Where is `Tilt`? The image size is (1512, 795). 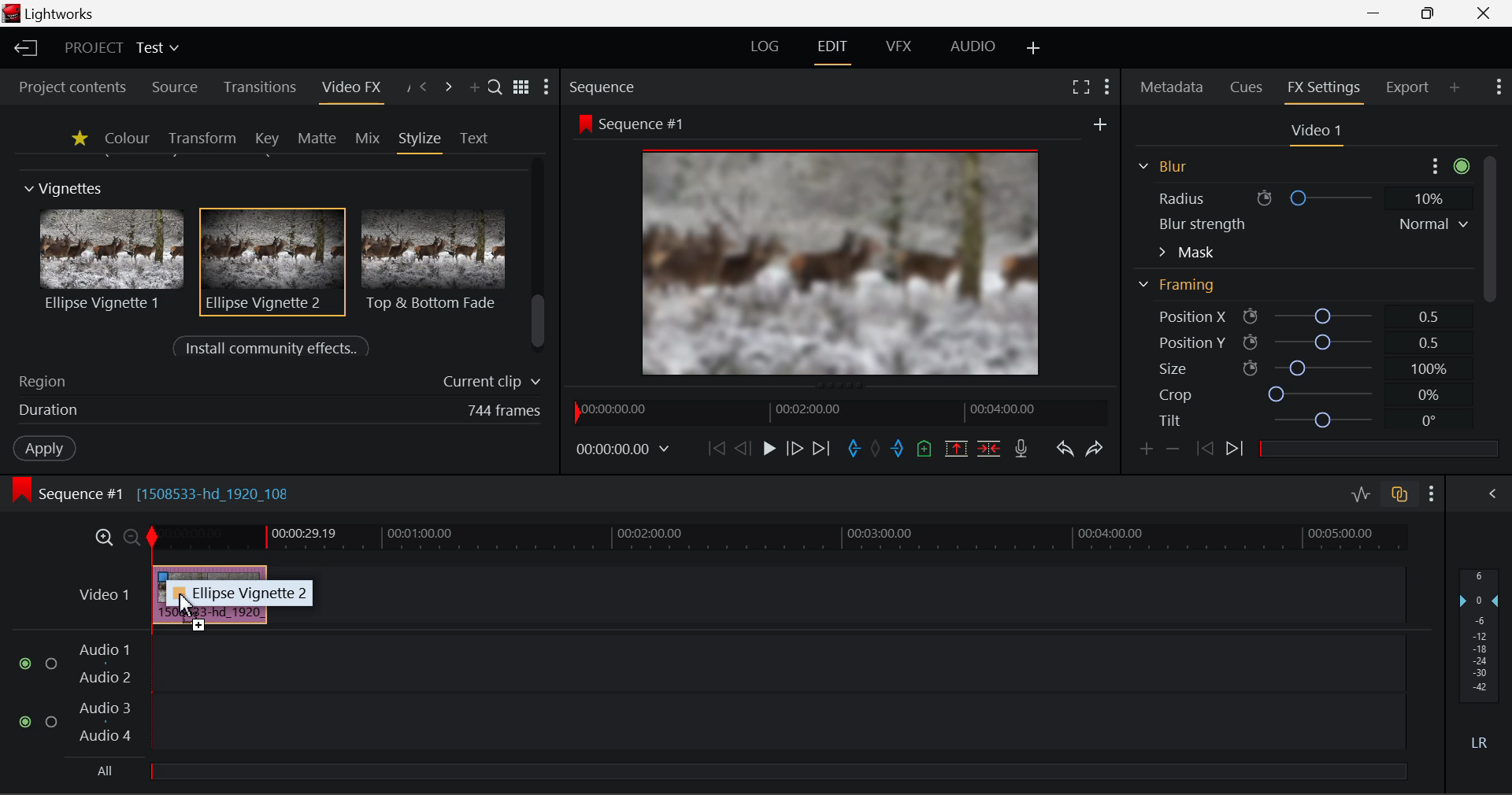 Tilt is located at coordinates (1299, 420).